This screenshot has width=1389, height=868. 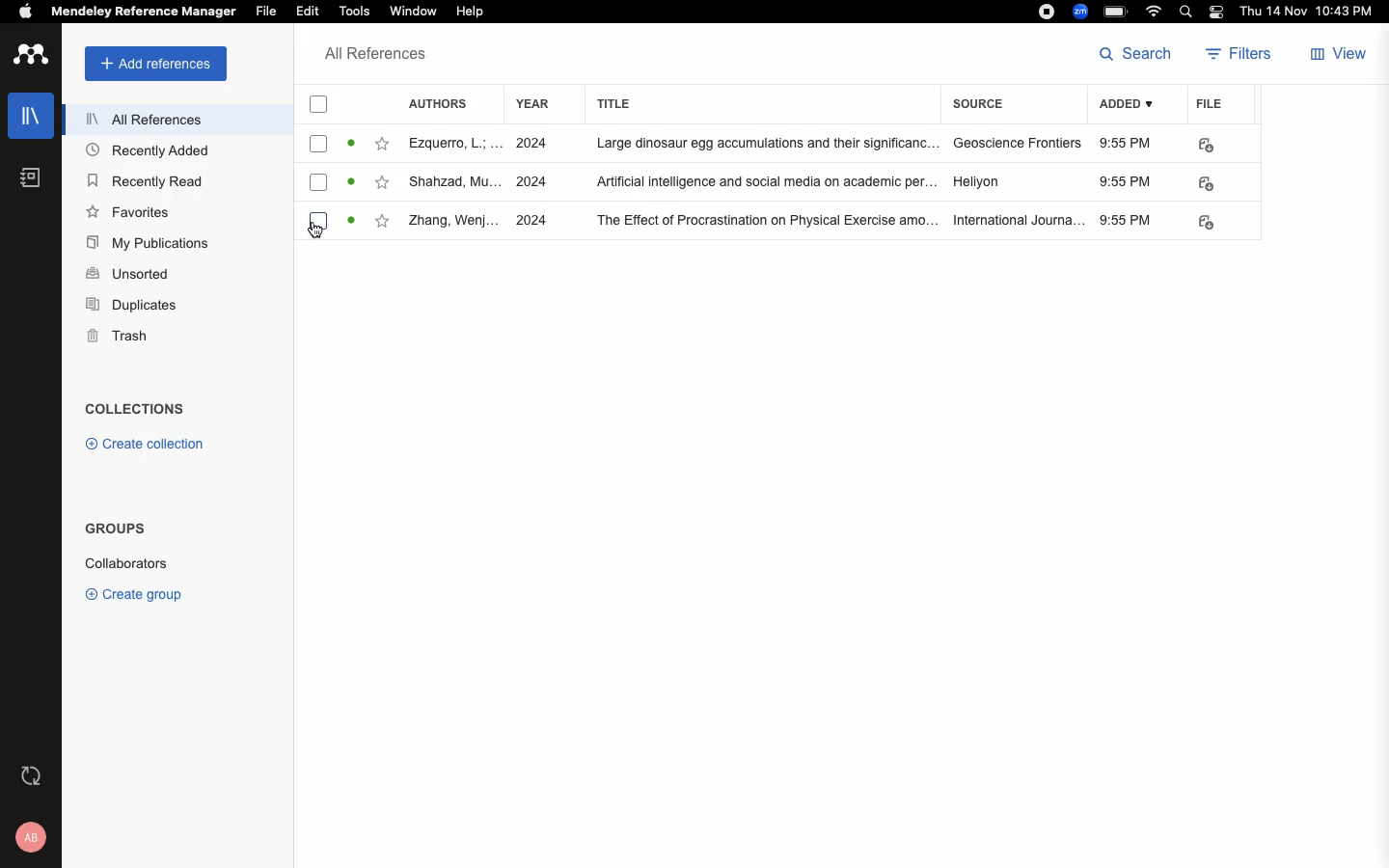 I want to click on 2024, so click(x=537, y=145).